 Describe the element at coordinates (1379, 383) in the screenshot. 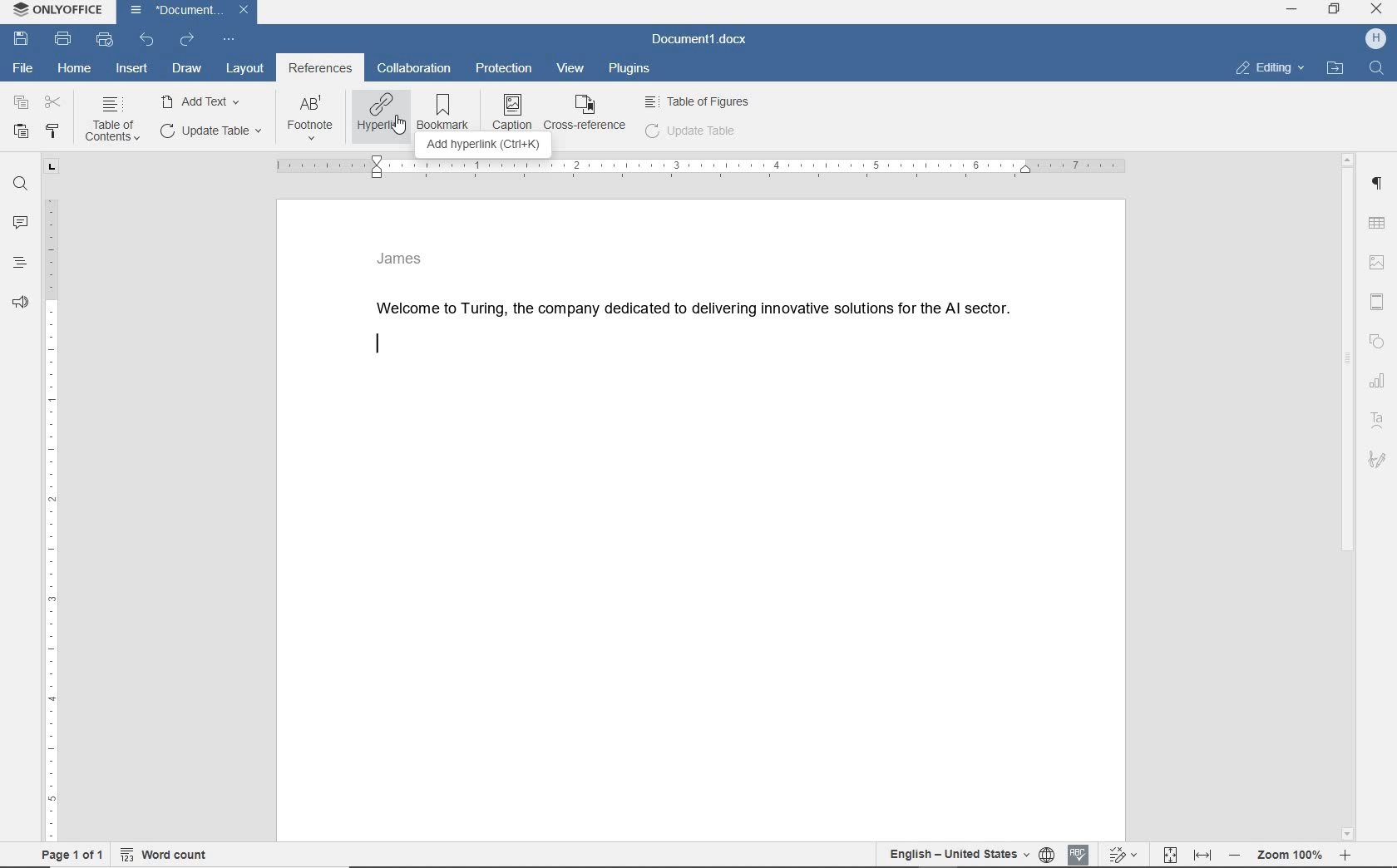

I see `chart` at that location.